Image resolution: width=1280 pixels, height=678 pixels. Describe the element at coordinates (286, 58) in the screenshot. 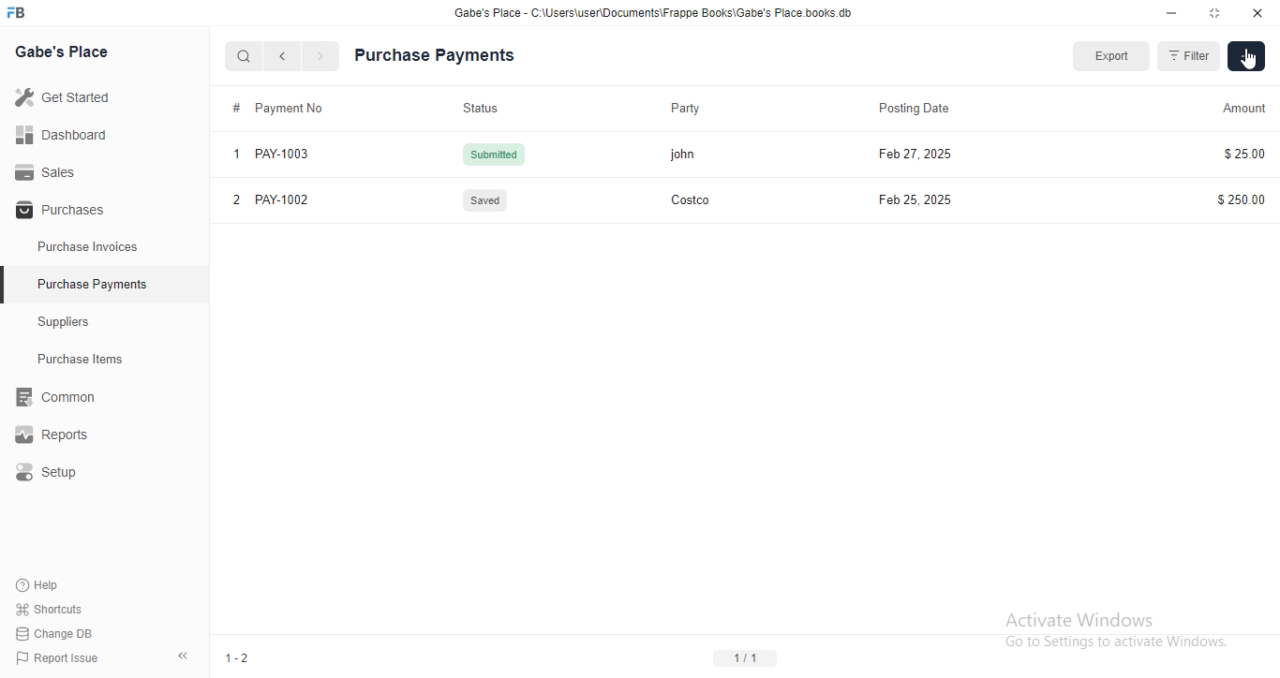

I see `navigate backward` at that location.